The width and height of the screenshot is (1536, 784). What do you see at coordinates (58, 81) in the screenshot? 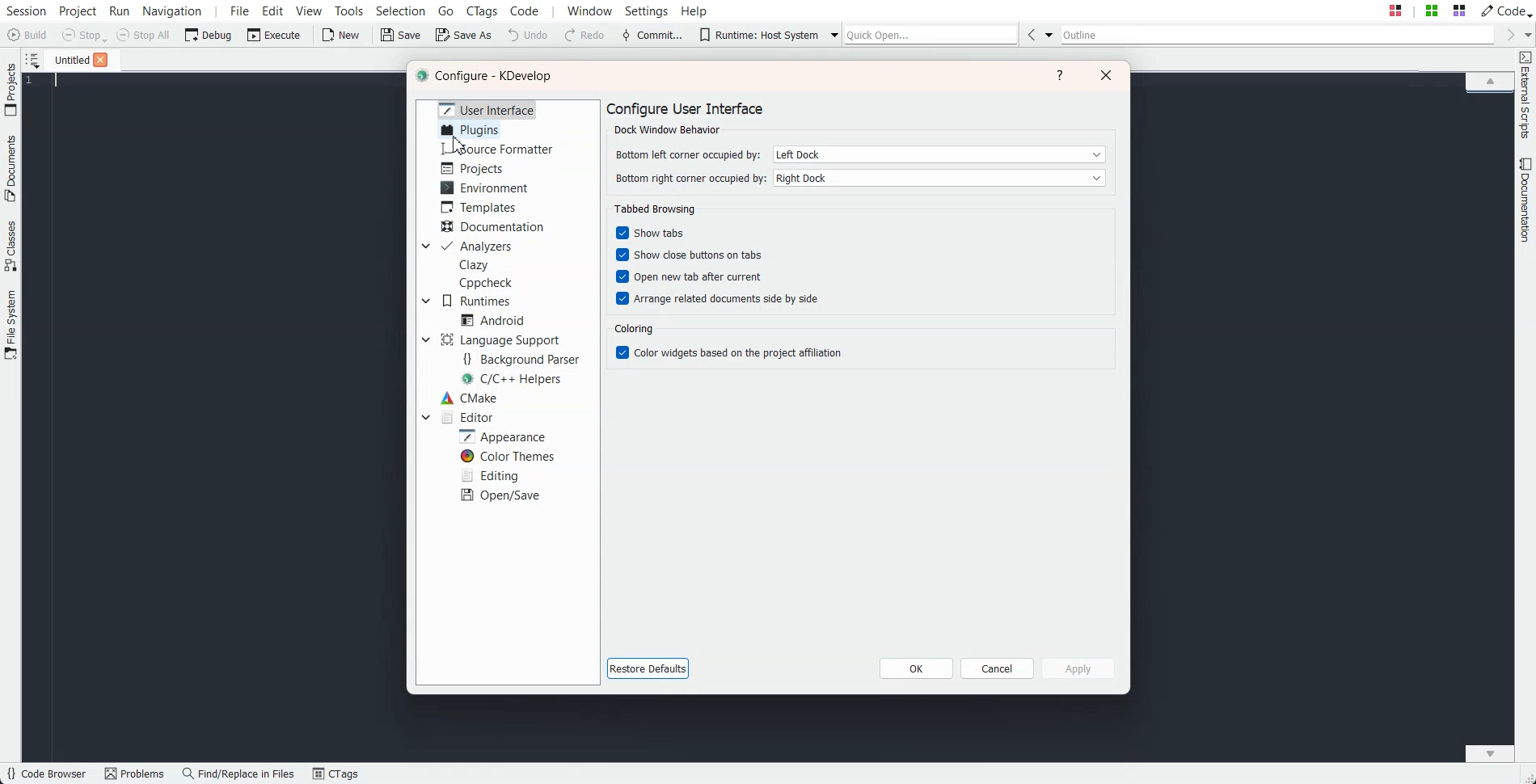
I see `Text Cursor` at bounding box center [58, 81].